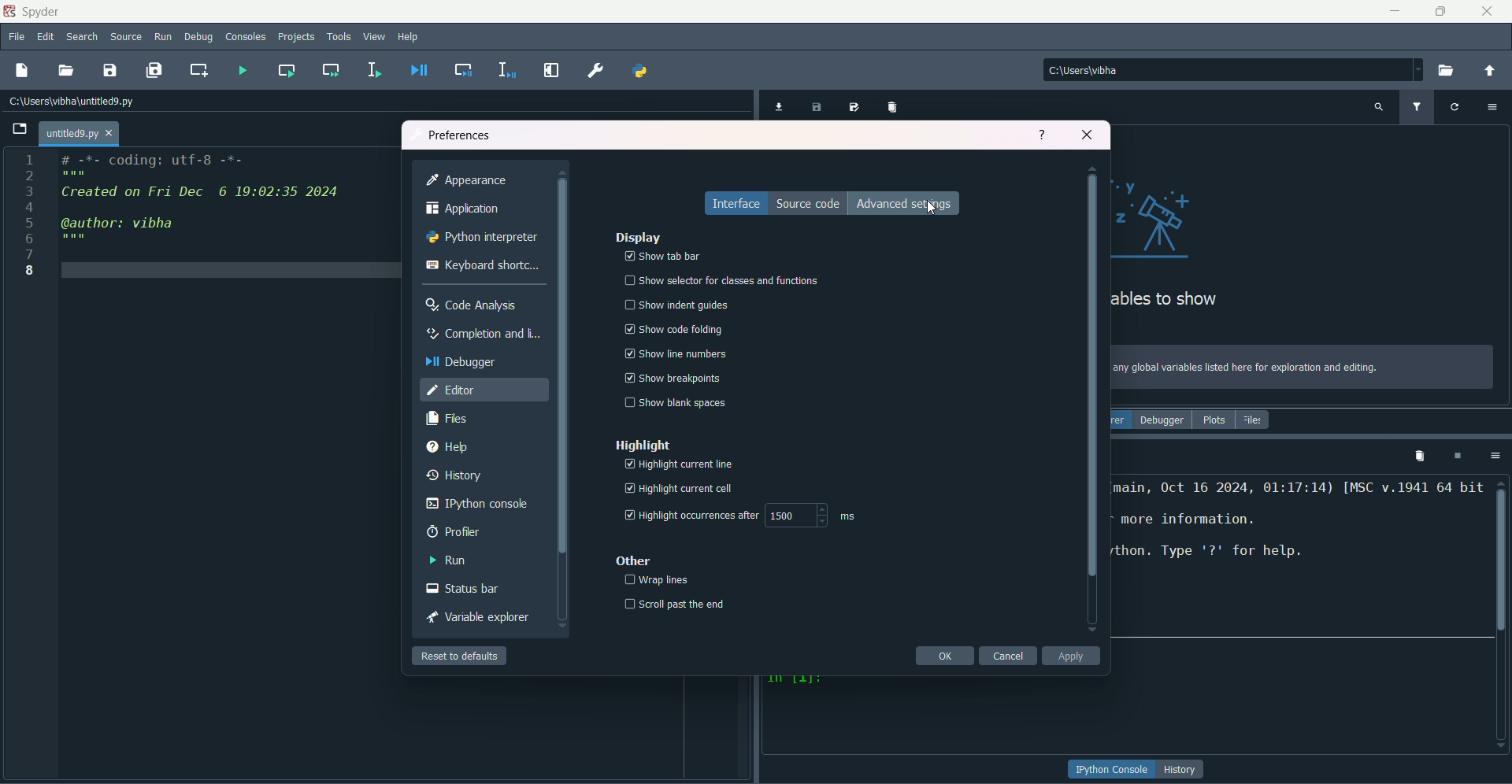  What do you see at coordinates (670, 379) in the screenshot?
I see `show trealpoints` at bounding box center [670, 379].